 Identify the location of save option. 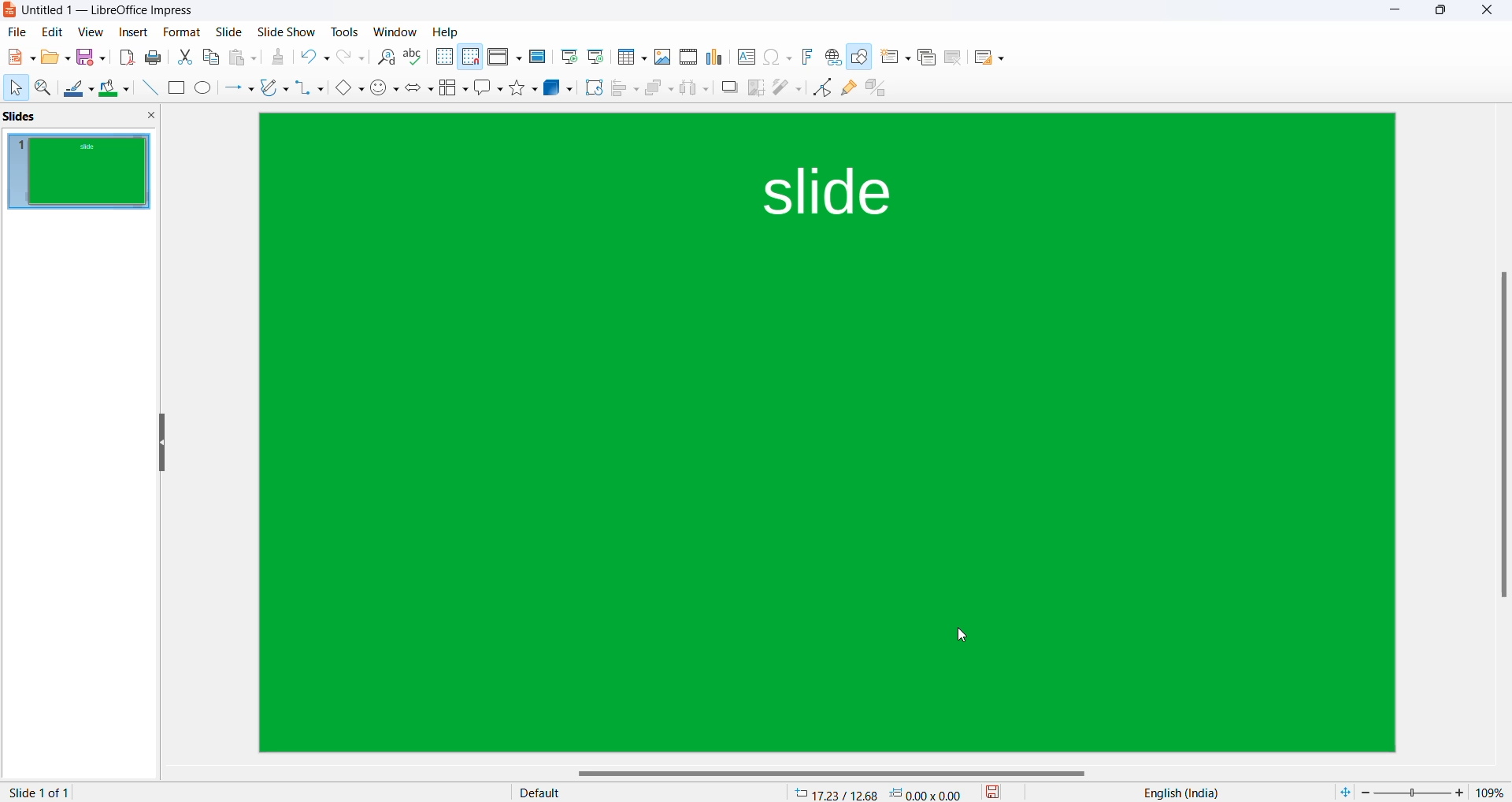
(91, 58).